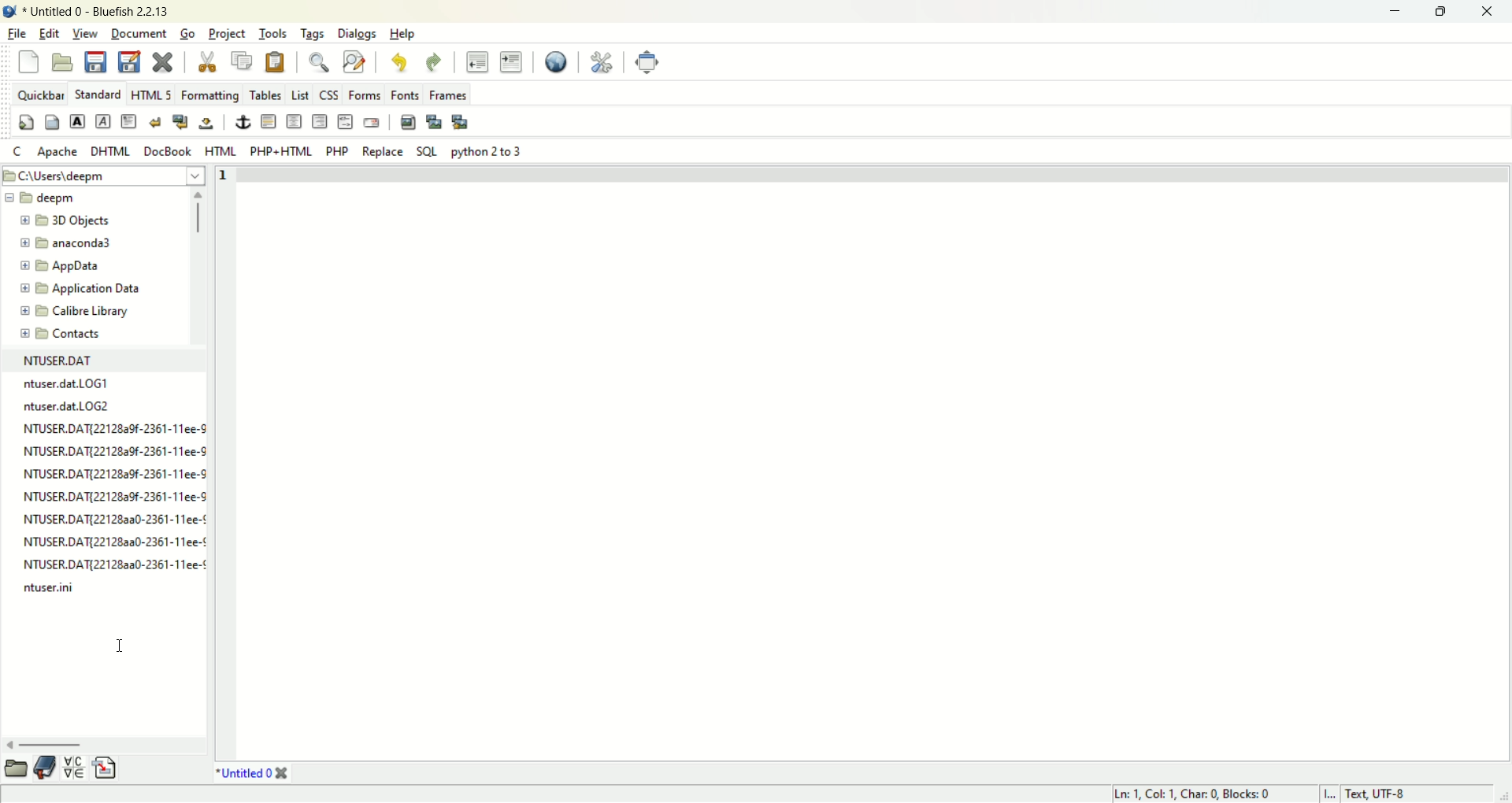 The width and height of the screenshot is (1512, 803). I want to click on folder name, so click(80, 309).